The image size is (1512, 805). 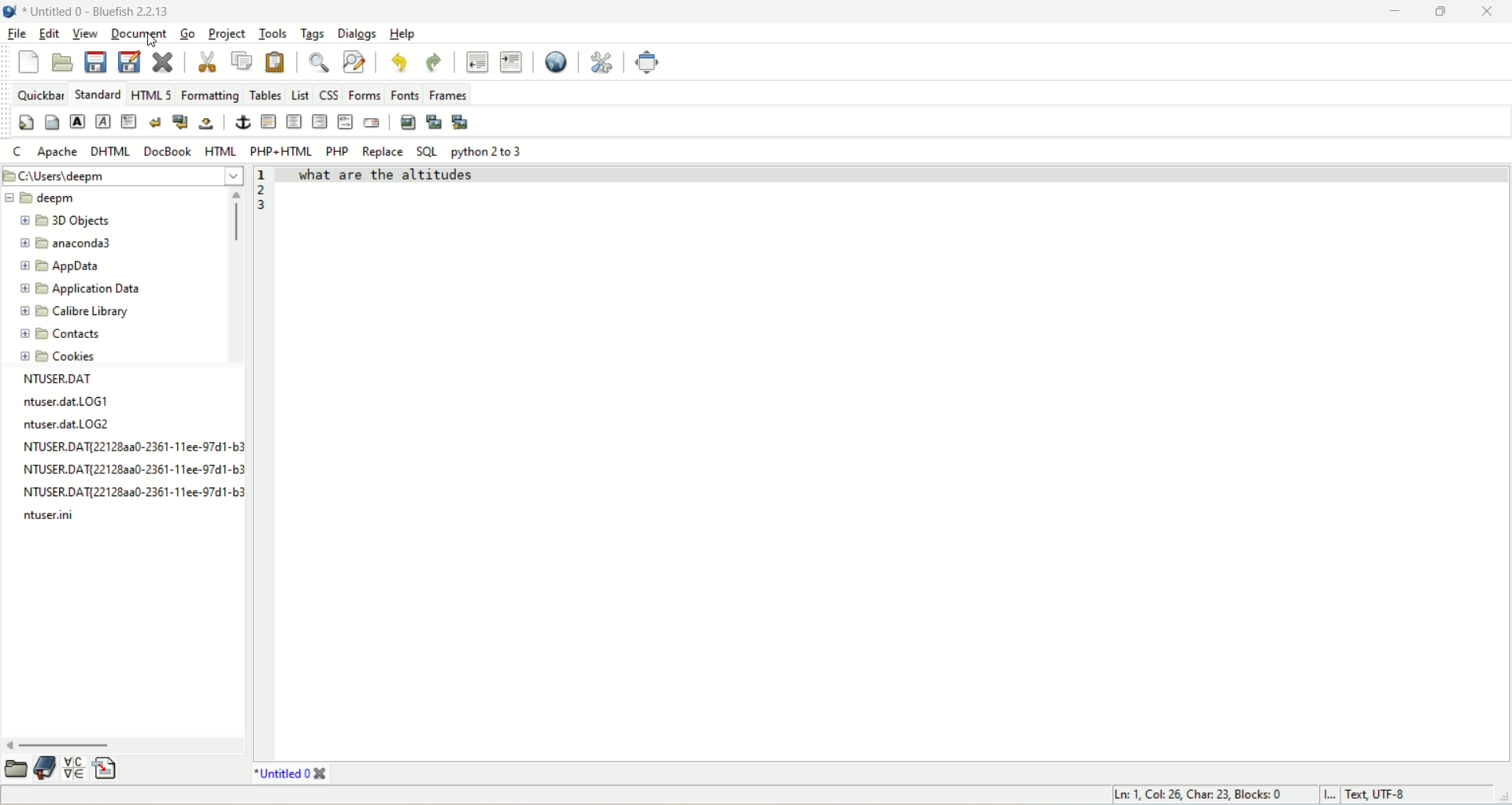 I want to click on go, so click(x=185, y=34).